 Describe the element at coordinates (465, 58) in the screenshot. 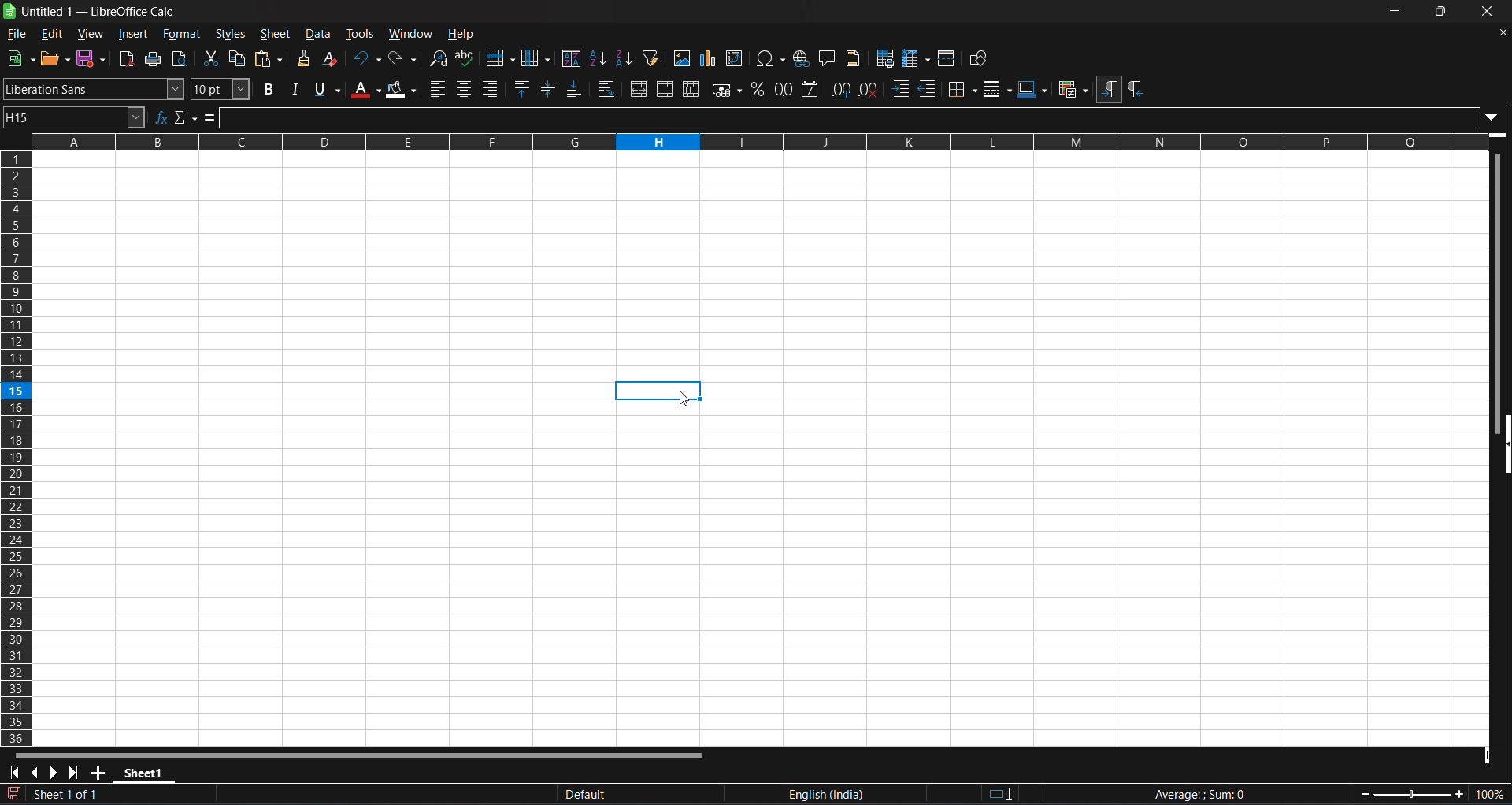

I see `spelling` at that location.